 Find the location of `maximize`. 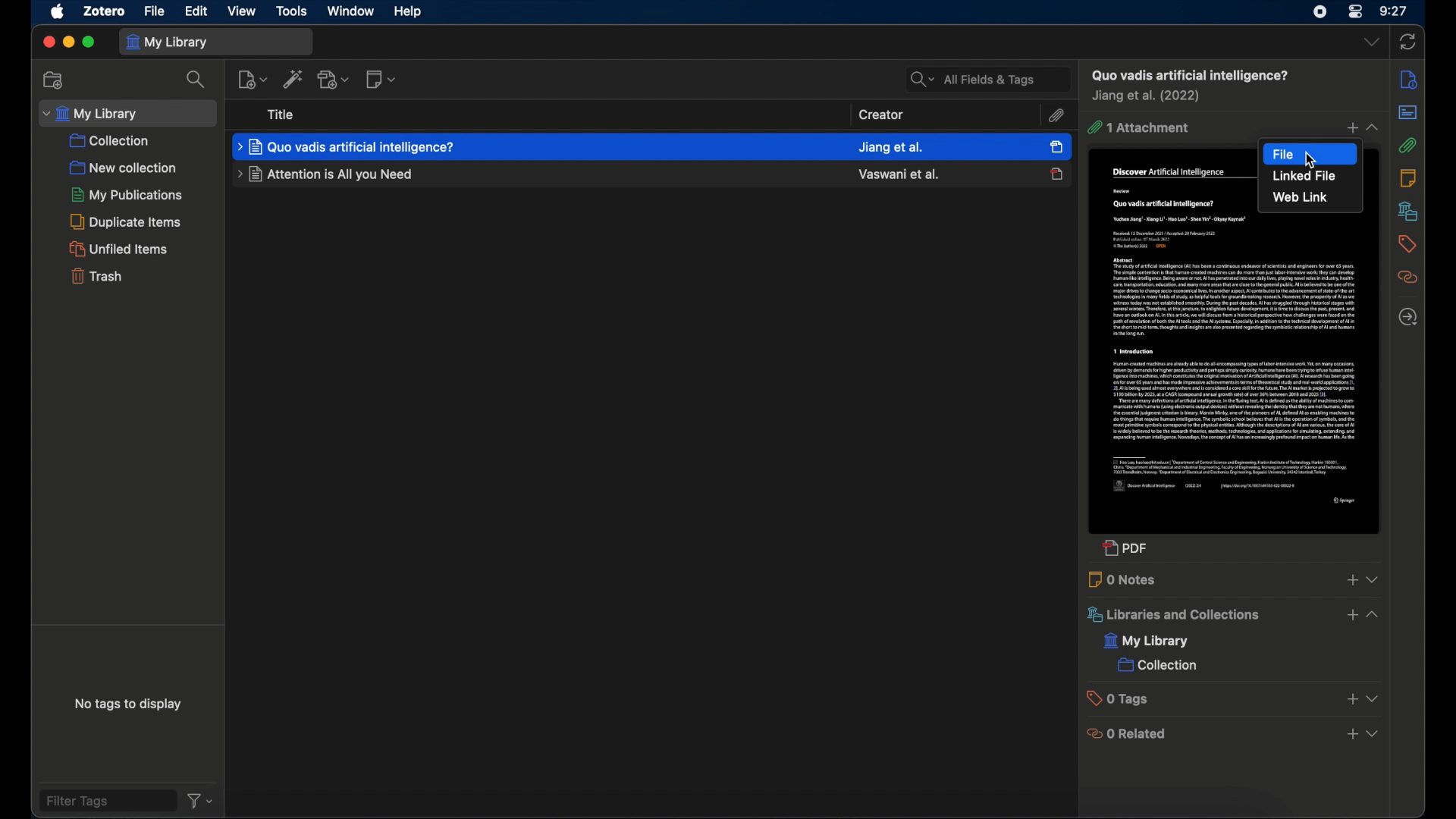

maximize is located at coordinates (90, 43).